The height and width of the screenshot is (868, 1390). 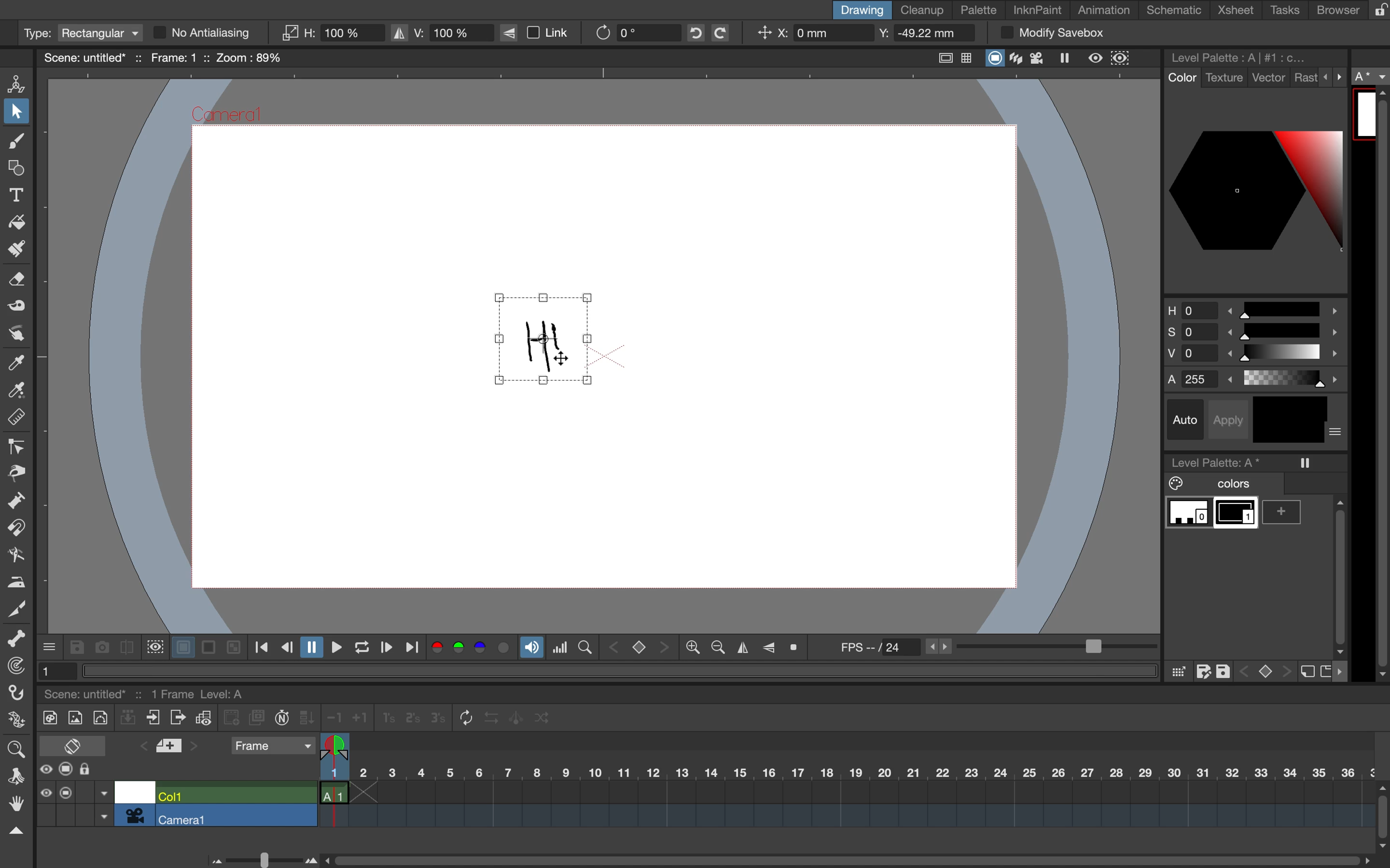 What do you see at coordinates (1255, 189) in the screenshot?
I see `color palettes` at bounding box center [1255, 189].